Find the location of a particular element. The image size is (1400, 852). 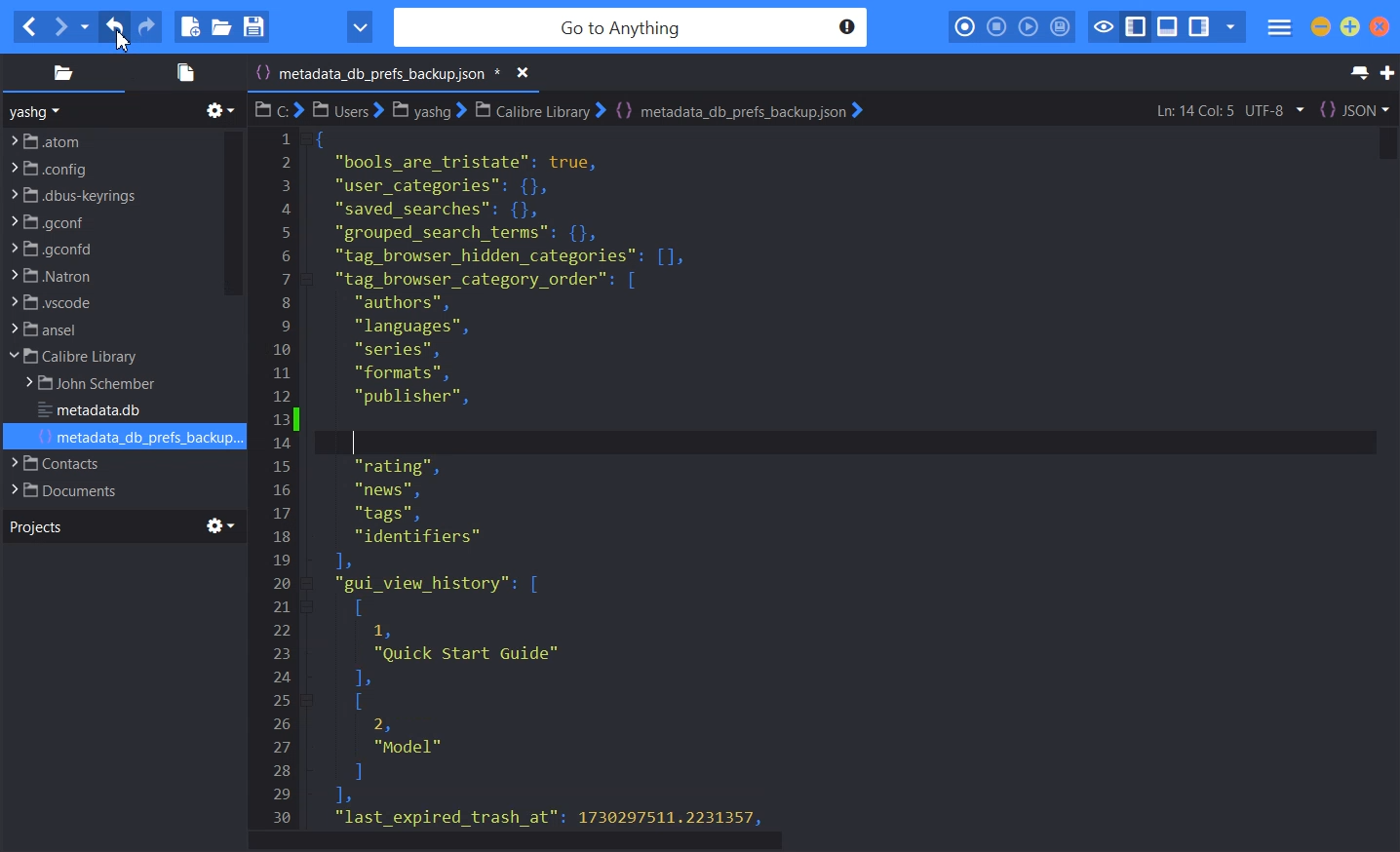

metadata_db_pref_bakup File is located at coordinates (738, 110).